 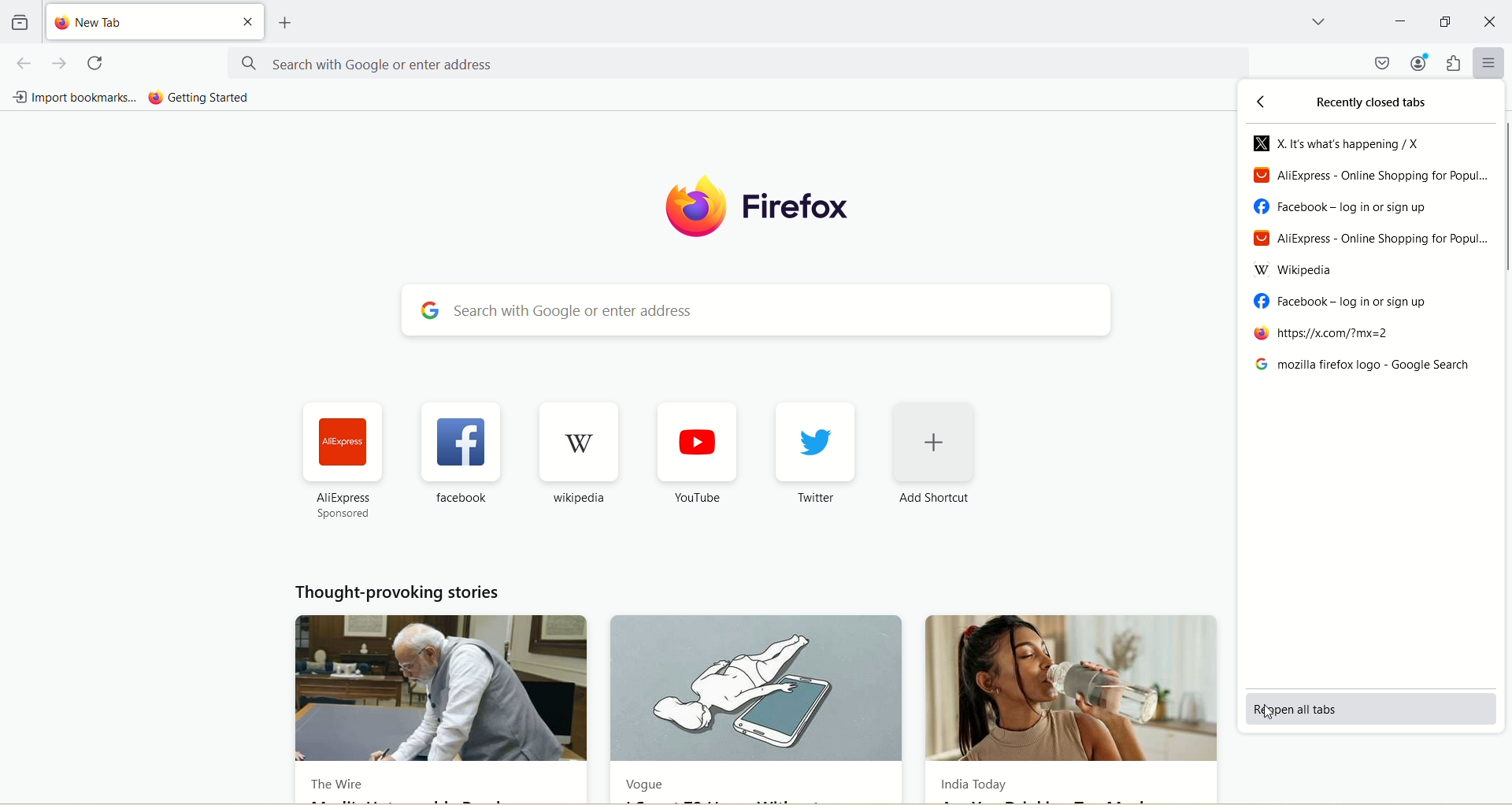 I want to click on The Wire news, so click(x=439, y=691).